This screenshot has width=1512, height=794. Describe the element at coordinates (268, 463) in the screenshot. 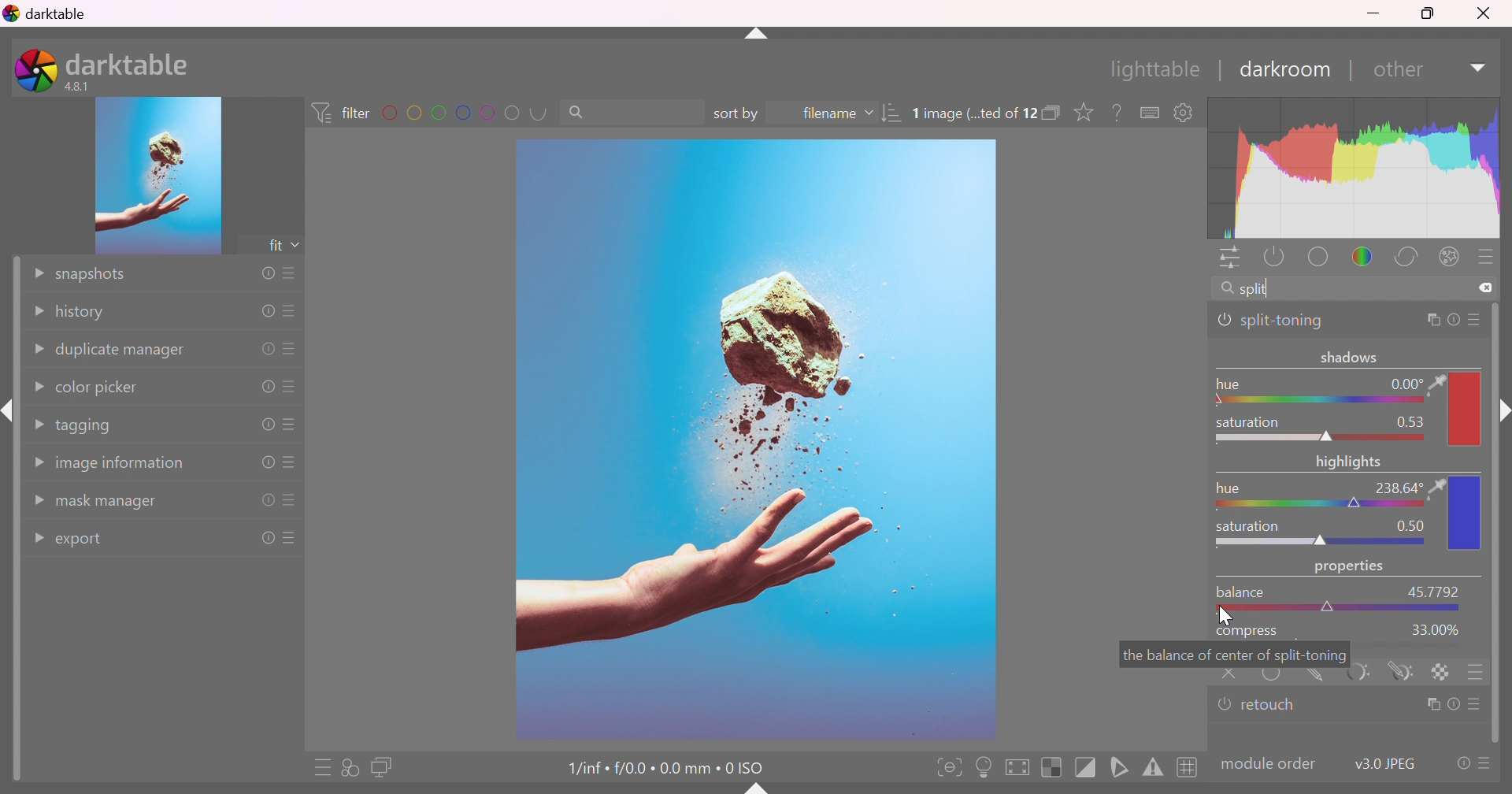

I see `reset` at that location.